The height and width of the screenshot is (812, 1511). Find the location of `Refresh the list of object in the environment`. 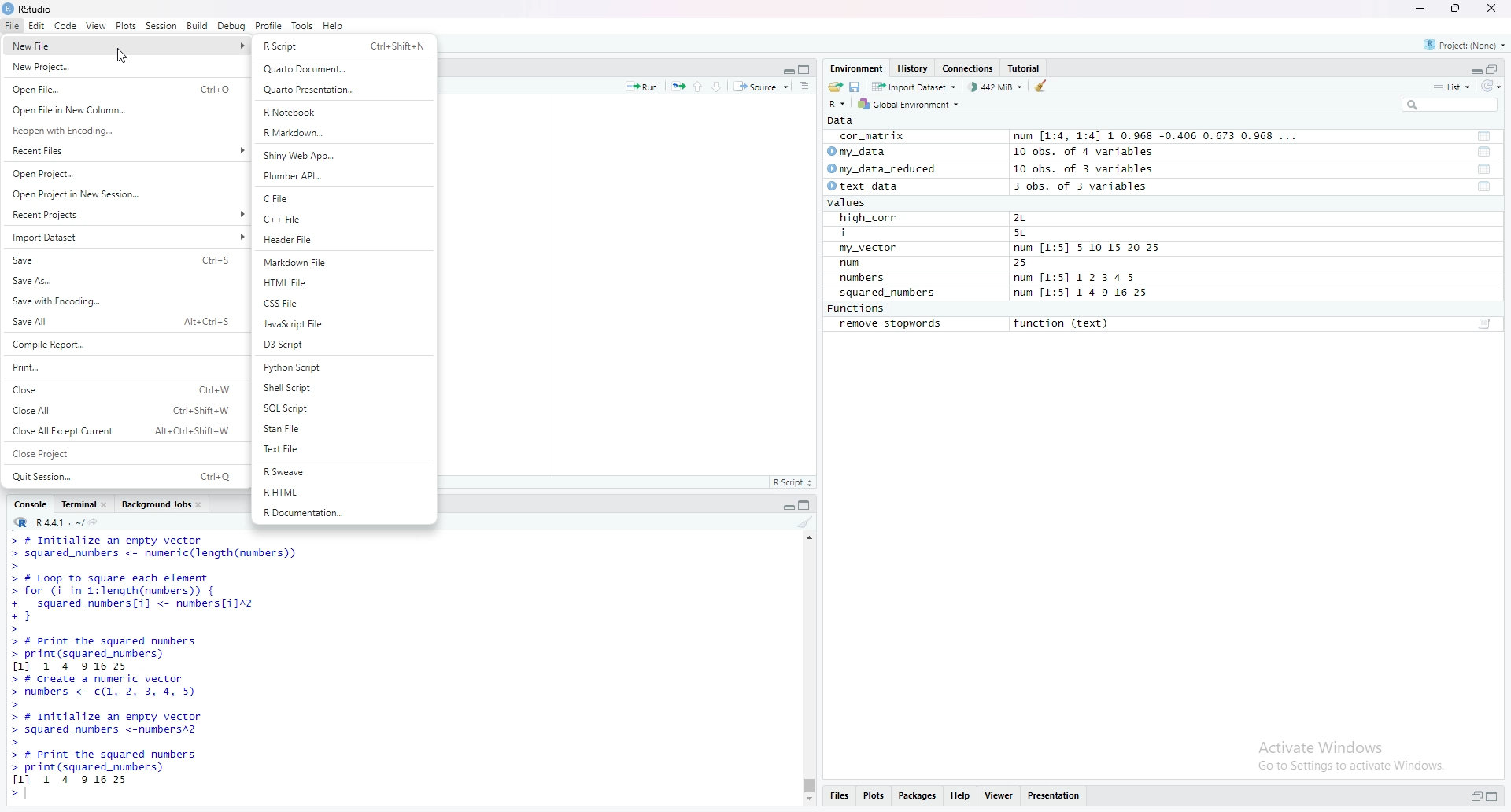

Refresh the list of object in the environment is located at coordinates (1496, 86).